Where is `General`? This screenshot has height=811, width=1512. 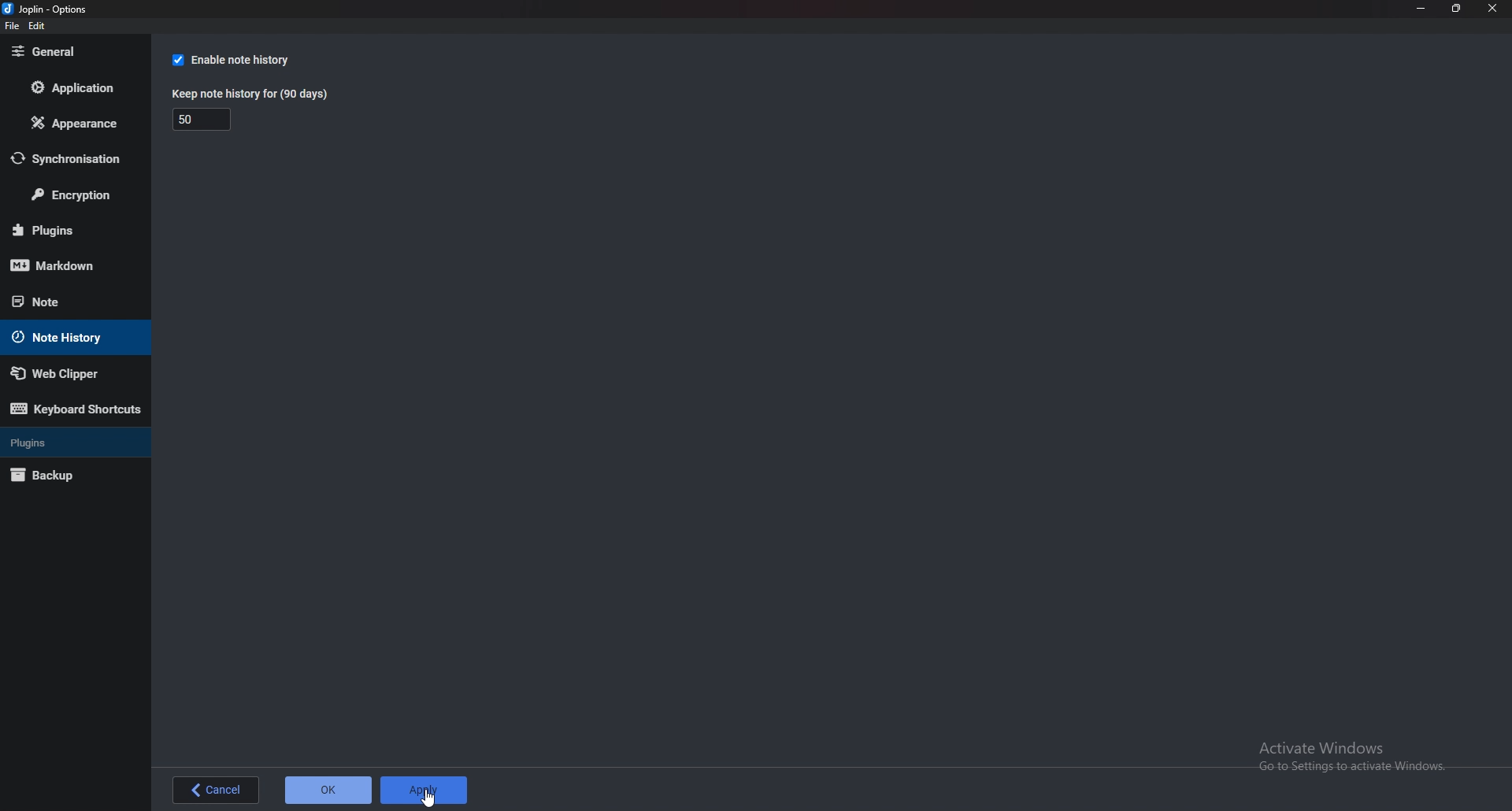
General is located at coordinates (72, 53).